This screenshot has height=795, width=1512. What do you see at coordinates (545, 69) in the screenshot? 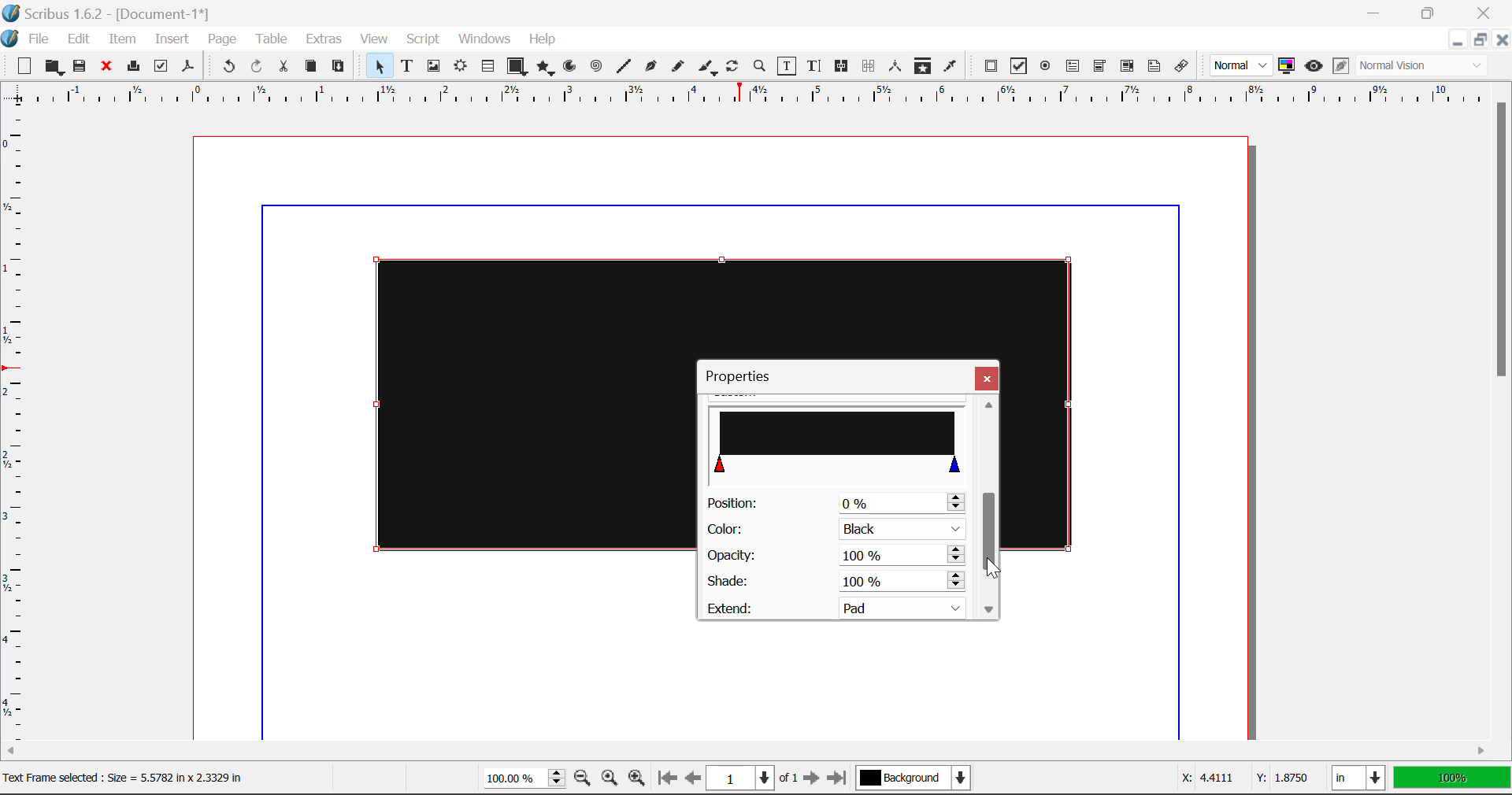
I see `Polygons` at bounding box center [545, 69].